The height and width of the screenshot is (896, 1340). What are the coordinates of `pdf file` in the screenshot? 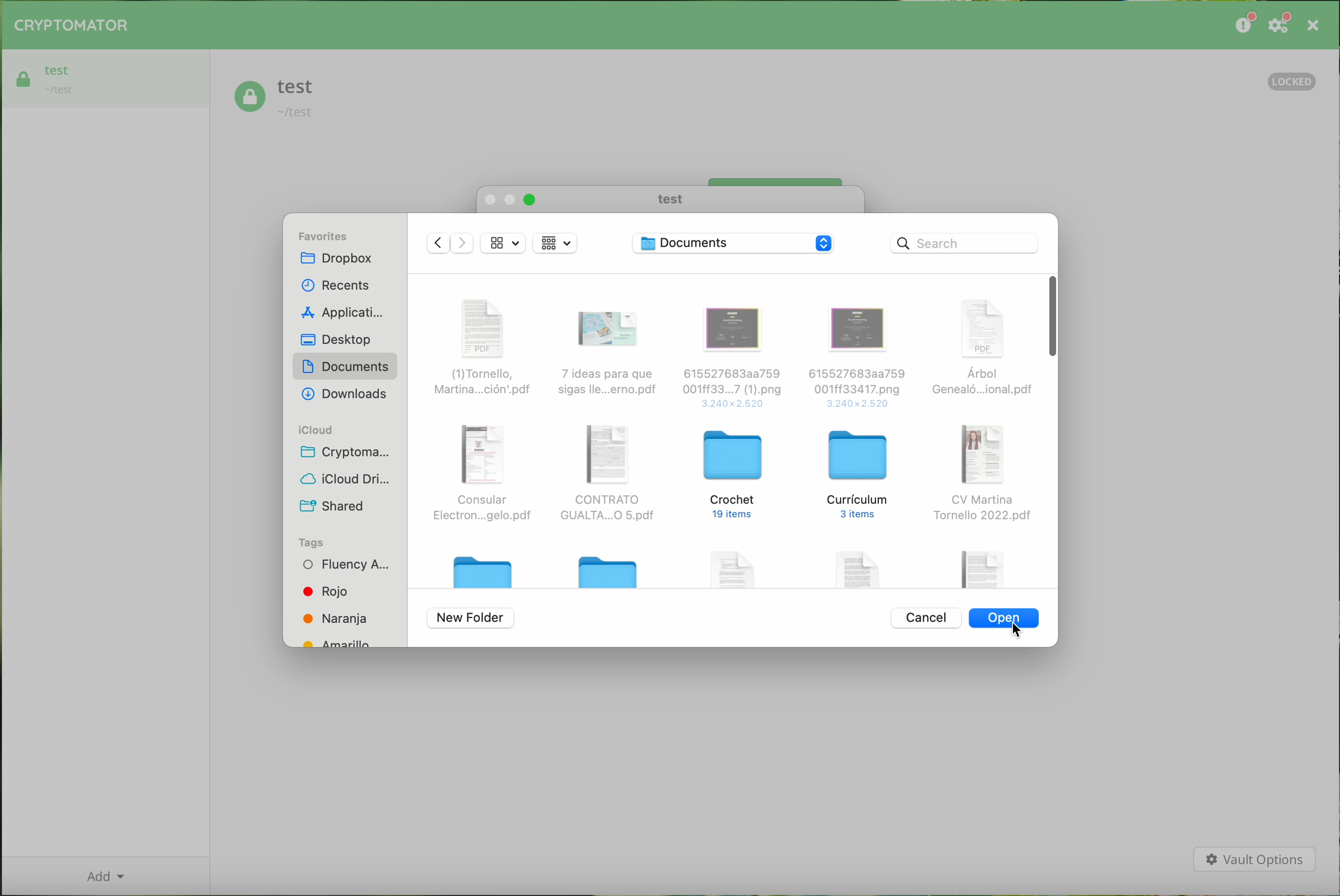 It's located at (606, 473).